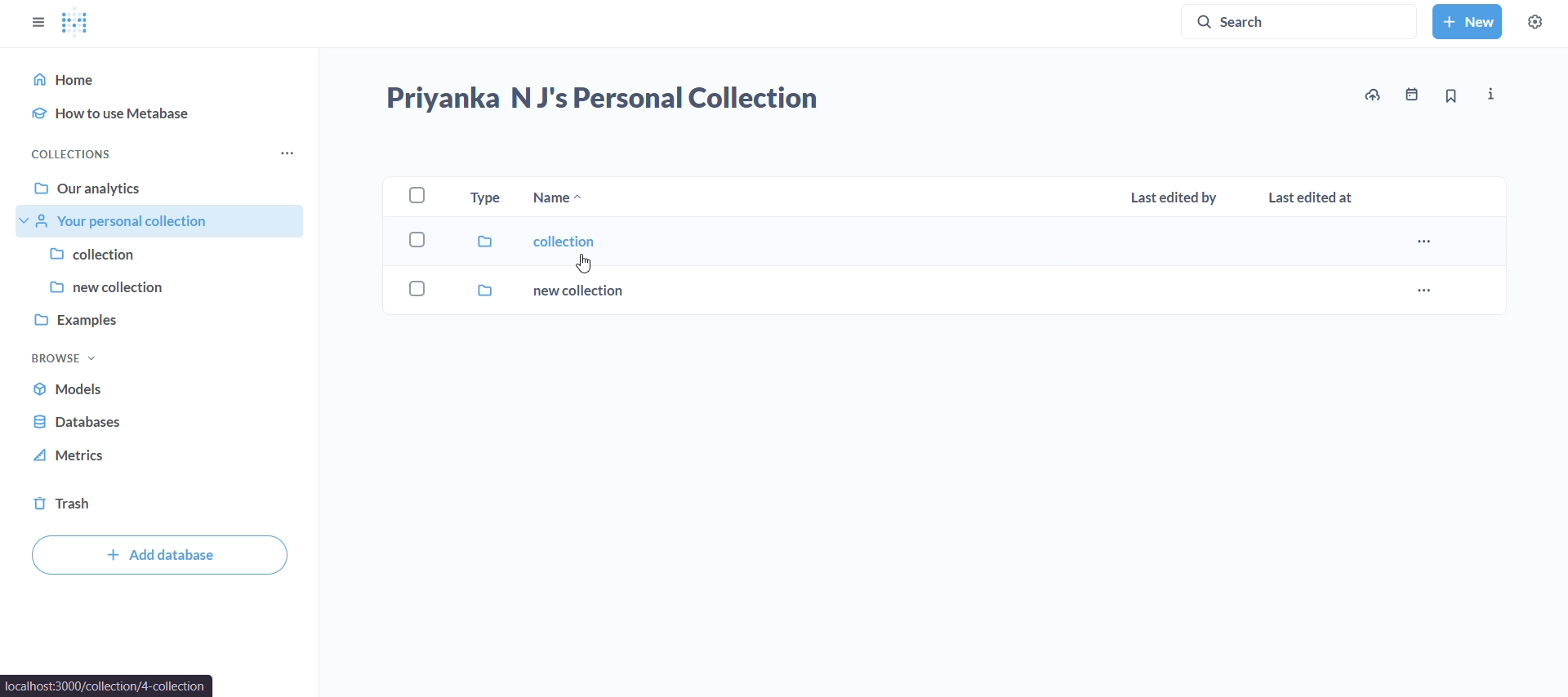 This screenshot has height=697, width=1568. Describe the element at coordinates (585, 264) in the screenshot. I see `cursor` at that location.